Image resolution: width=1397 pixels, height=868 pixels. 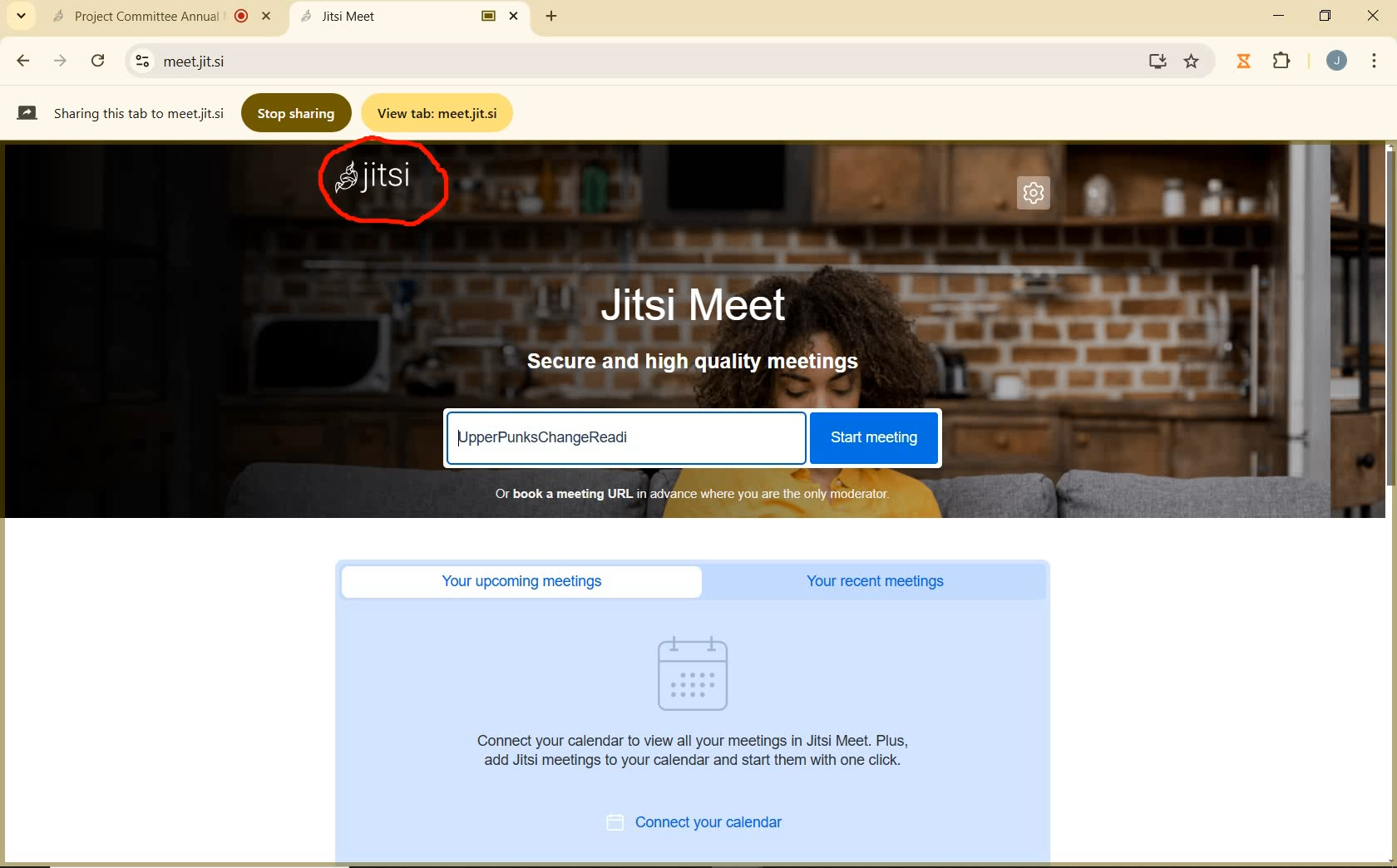 What do you see at coordinates (872, 438) in the screenshot?
I see `Start meeting` at bounding box center [872, 438].